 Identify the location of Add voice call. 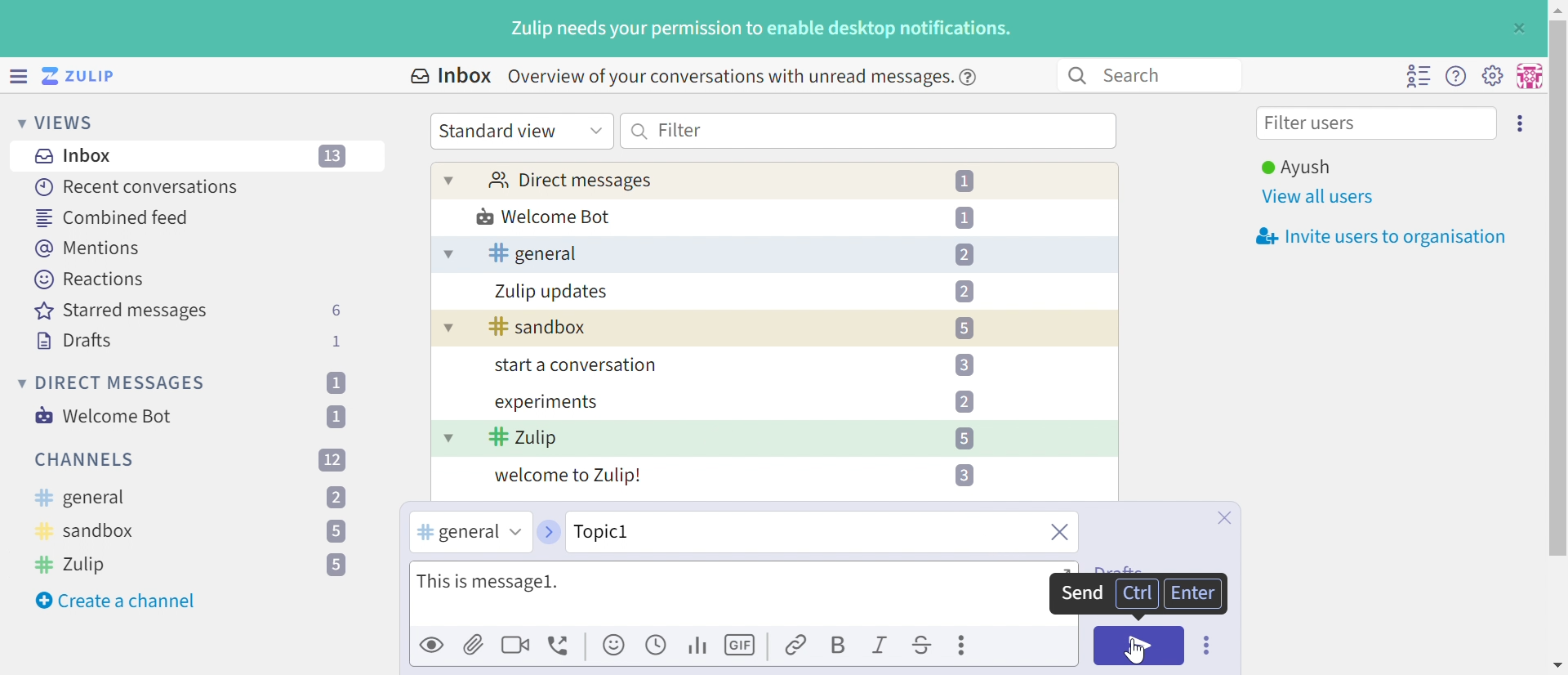
(561, 646).